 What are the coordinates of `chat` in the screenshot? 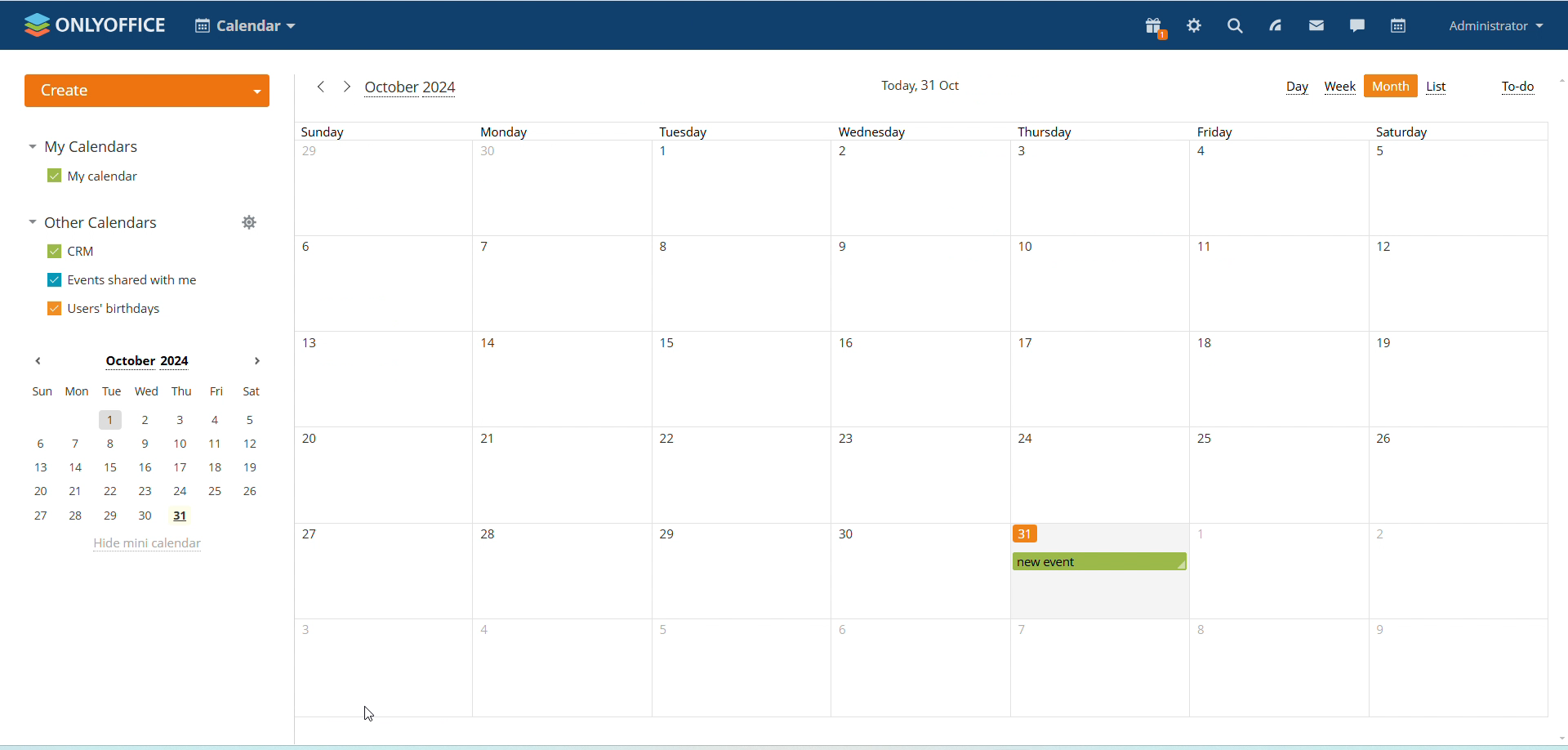 It's located at (1356, 25).